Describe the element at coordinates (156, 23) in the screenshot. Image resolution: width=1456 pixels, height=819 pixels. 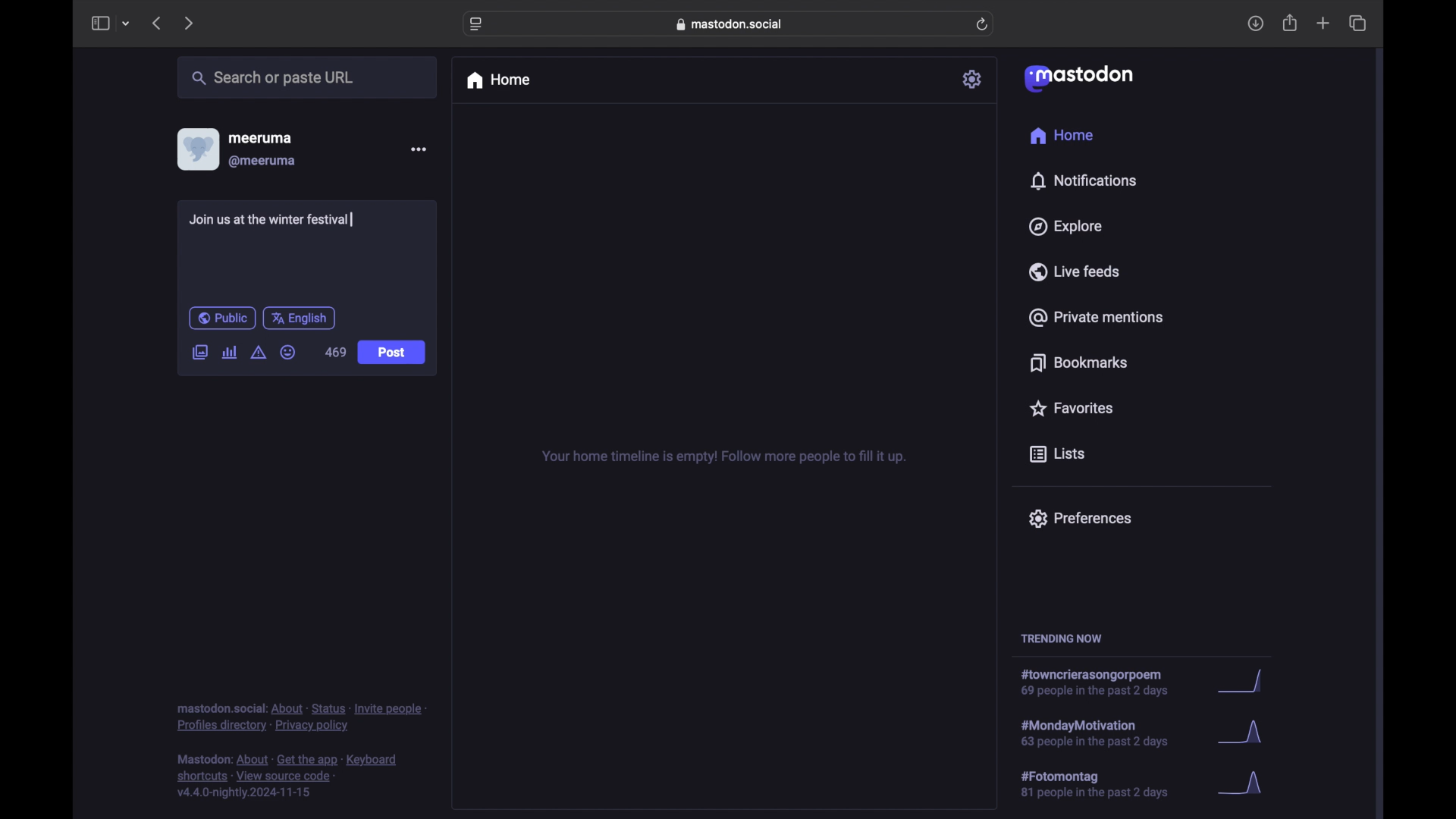
I see `previous` at that location.